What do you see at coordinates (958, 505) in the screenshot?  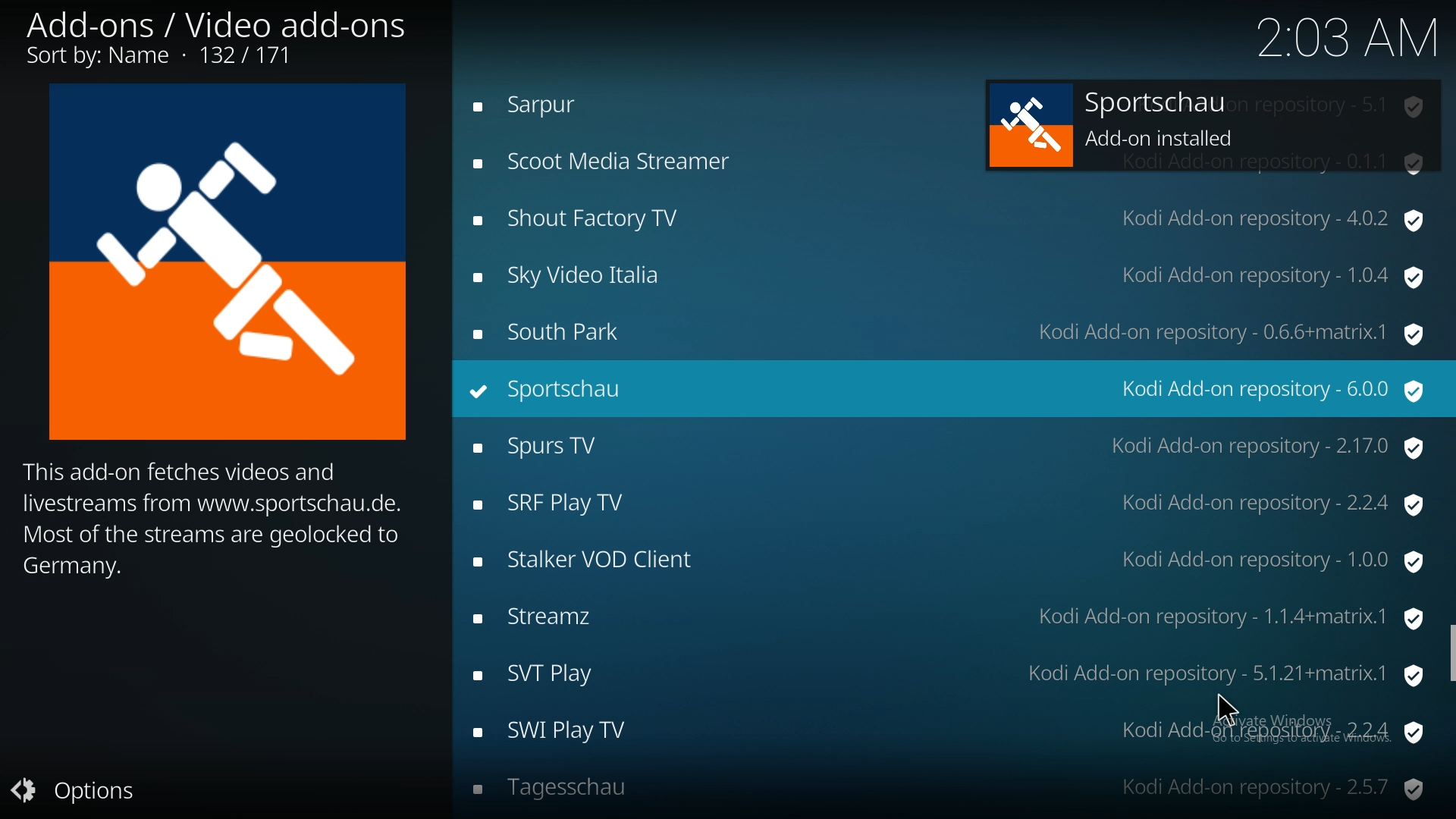 I see `srf play tv` at bounding box center [958, 505].